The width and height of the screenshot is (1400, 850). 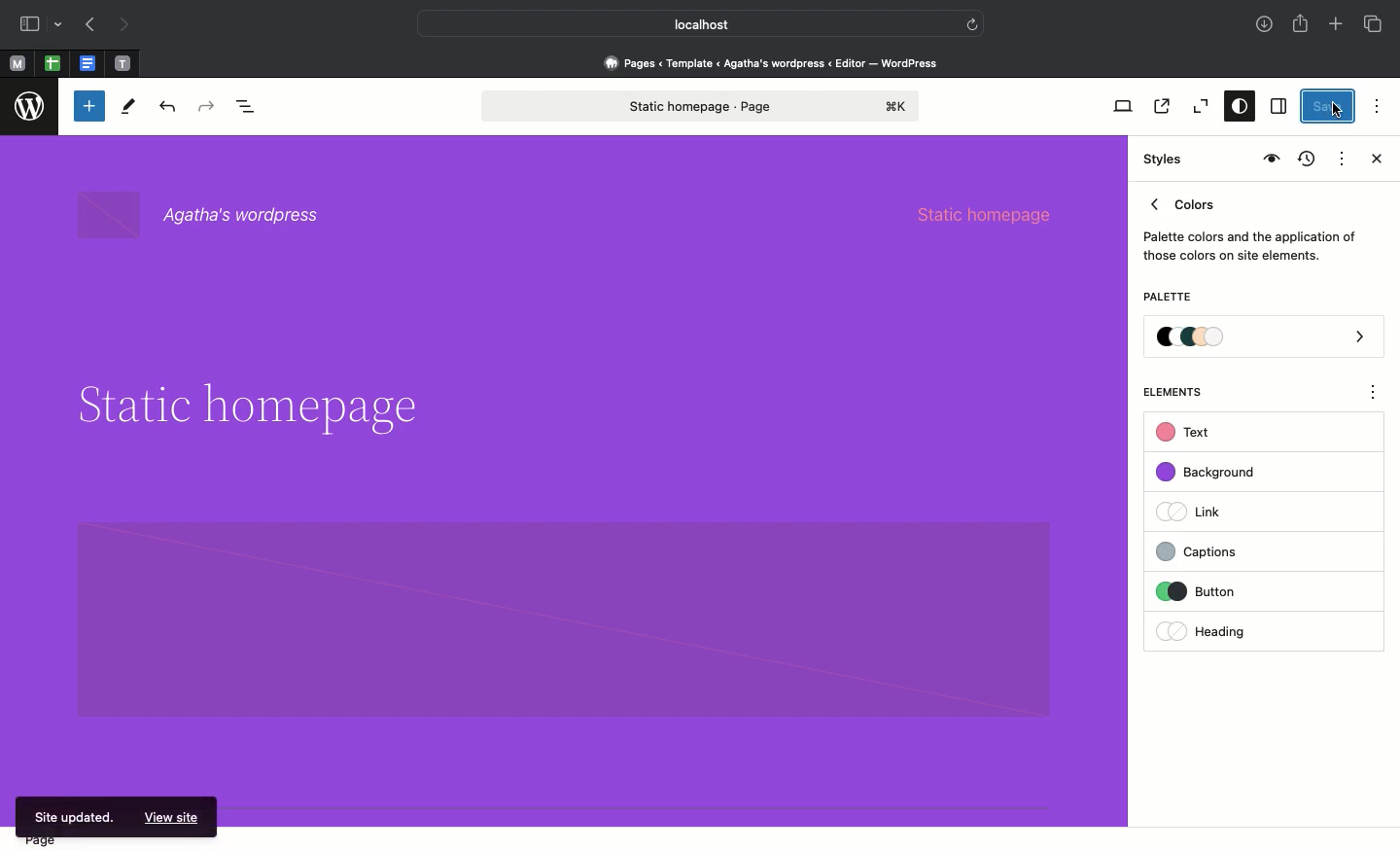 I want to click on captions, so click(x=1231, y=549).